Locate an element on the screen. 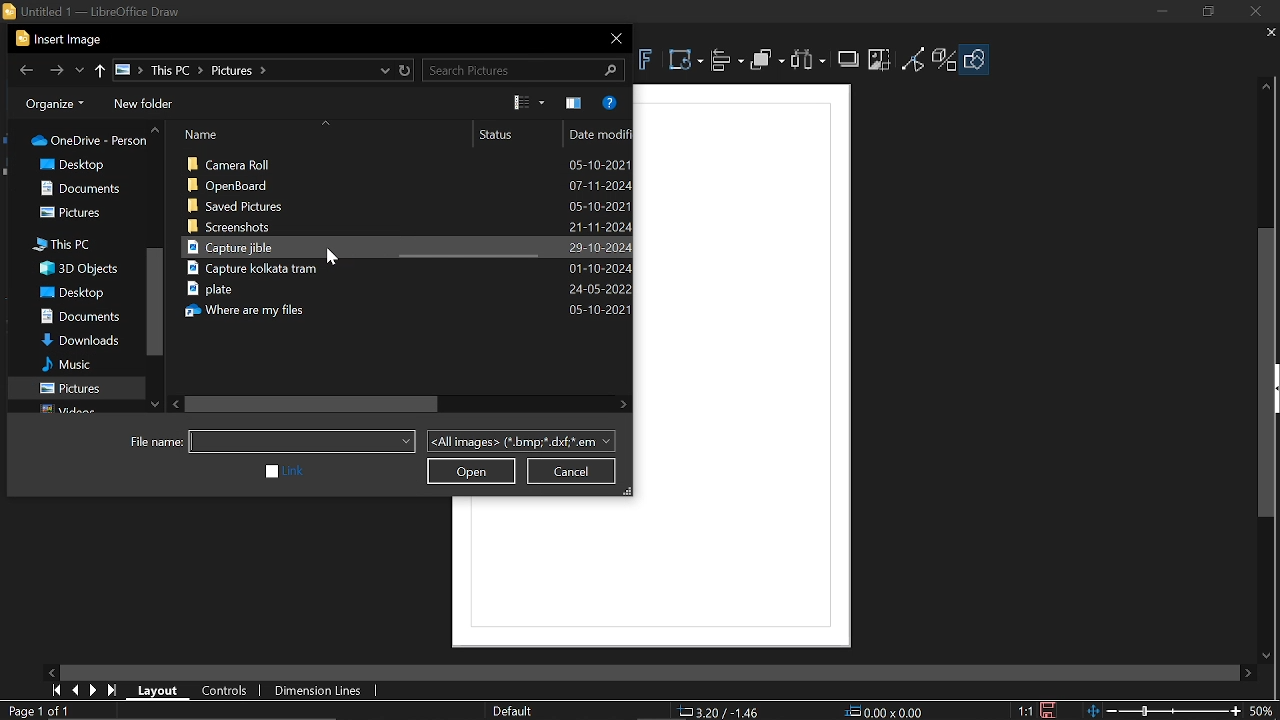  File format is located at coordinates (522, 440).